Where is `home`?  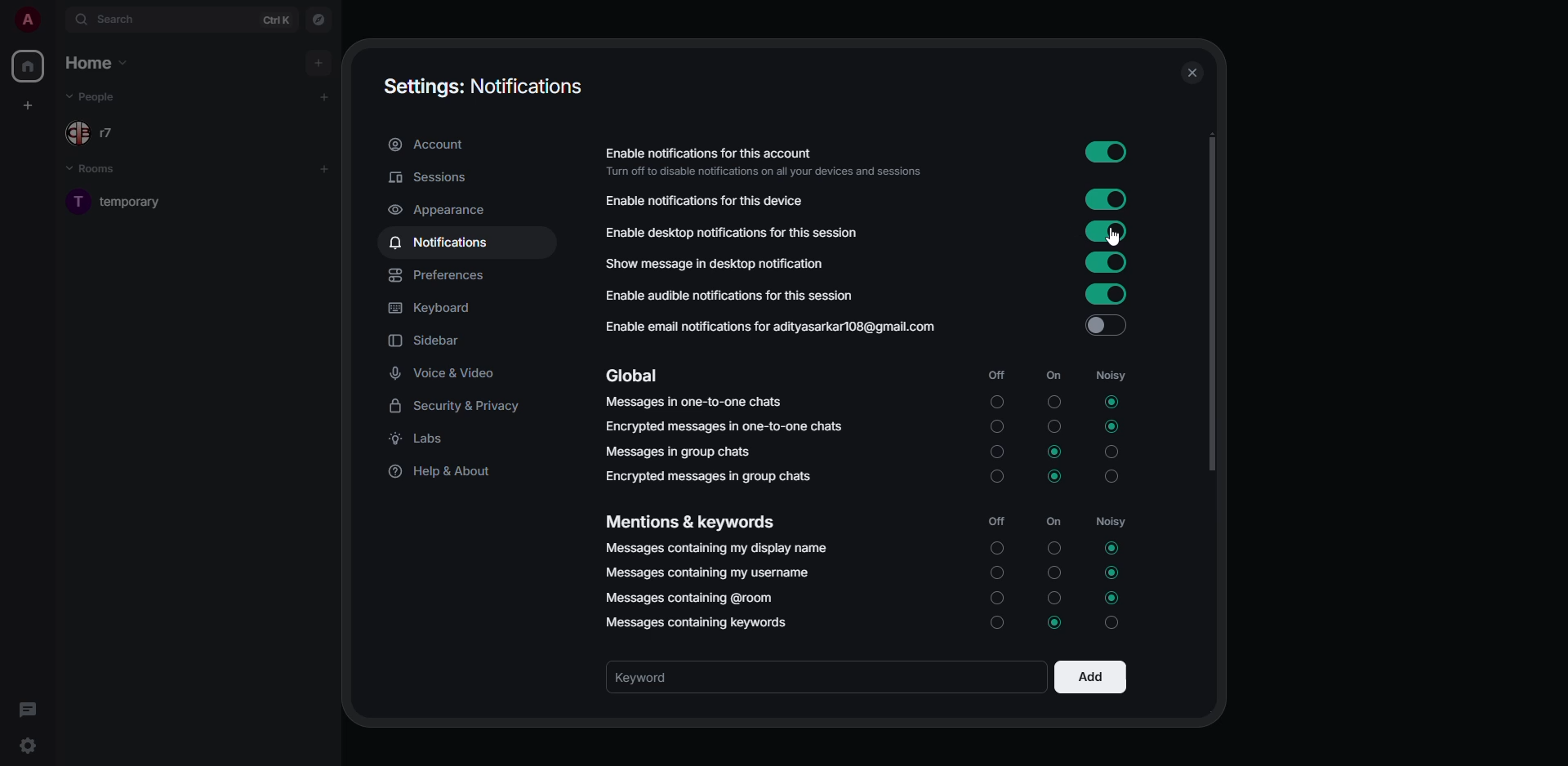 home is located at coordinates (30, 69).